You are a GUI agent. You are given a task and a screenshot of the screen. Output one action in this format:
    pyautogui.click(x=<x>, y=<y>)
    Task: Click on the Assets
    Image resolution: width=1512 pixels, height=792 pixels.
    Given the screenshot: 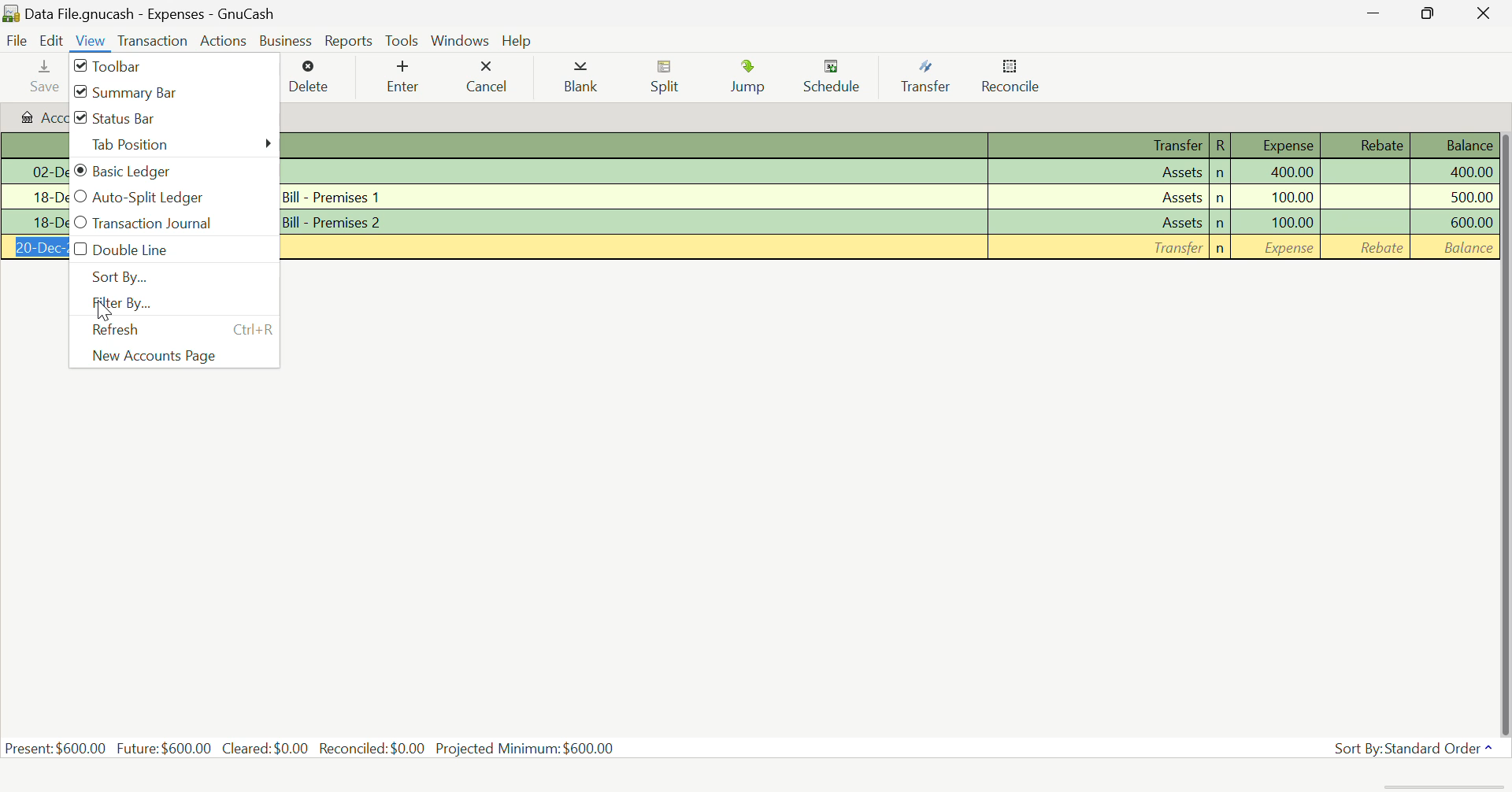 What is the action you would take?
    pyautogui.click(x=1097, y=221)
    